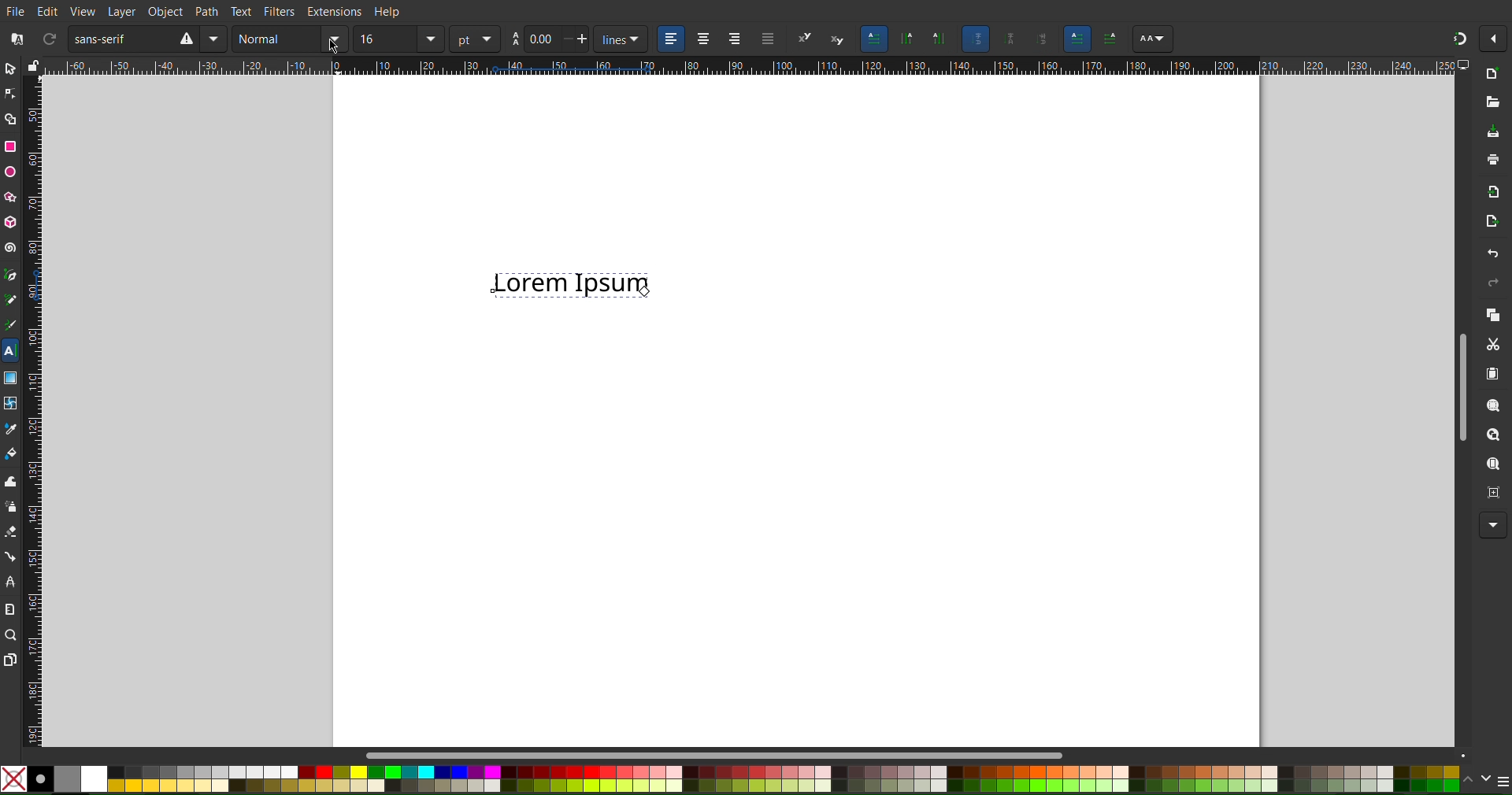 Image resolution: width=1512 pixels, height=795 pixels. What do you see at coordinates (1488, 436) in the screenshot?
I see `Zoom Drawing` at bounding box center [1488, 436].